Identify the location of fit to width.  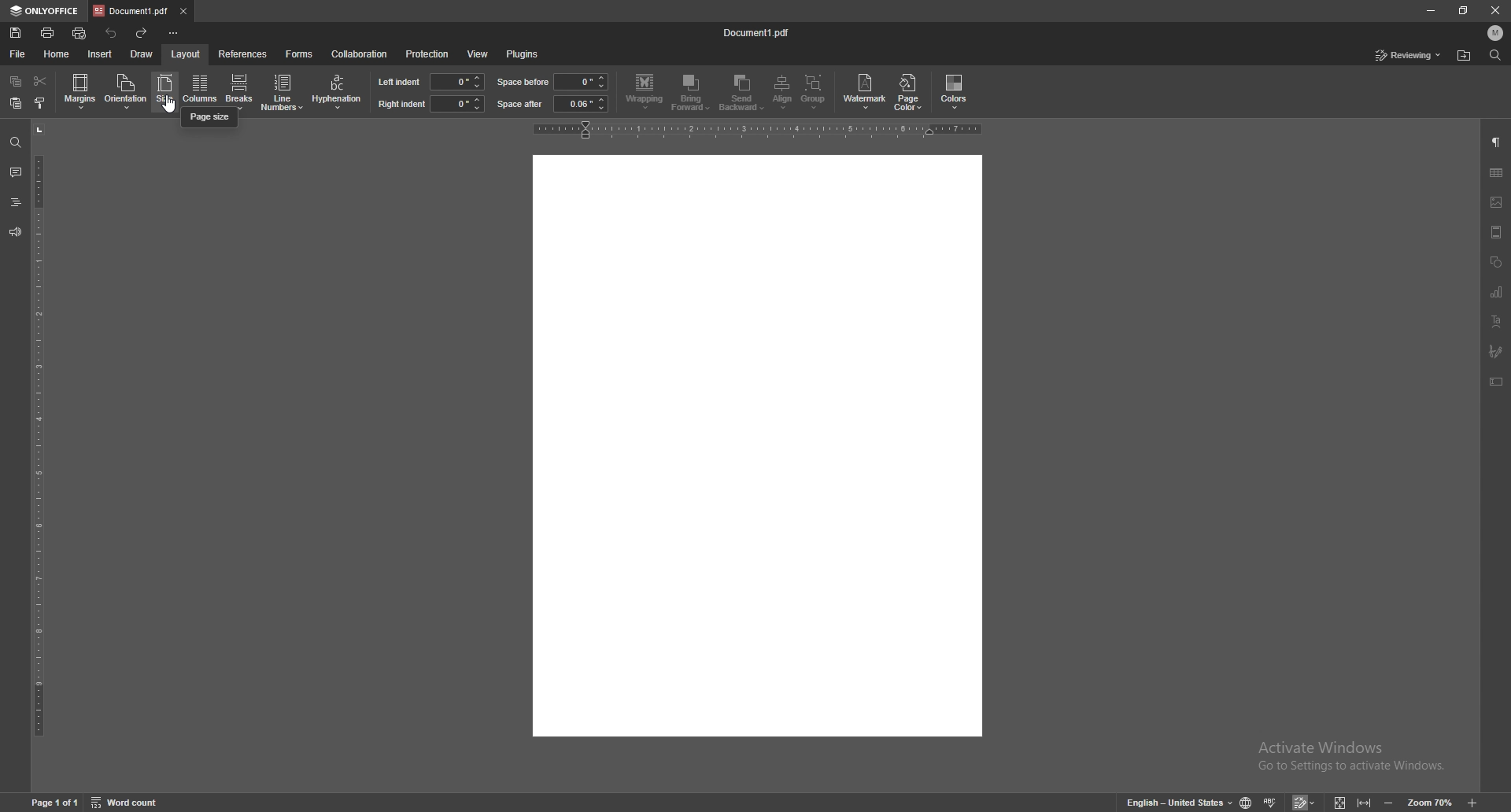
(1366, 802).